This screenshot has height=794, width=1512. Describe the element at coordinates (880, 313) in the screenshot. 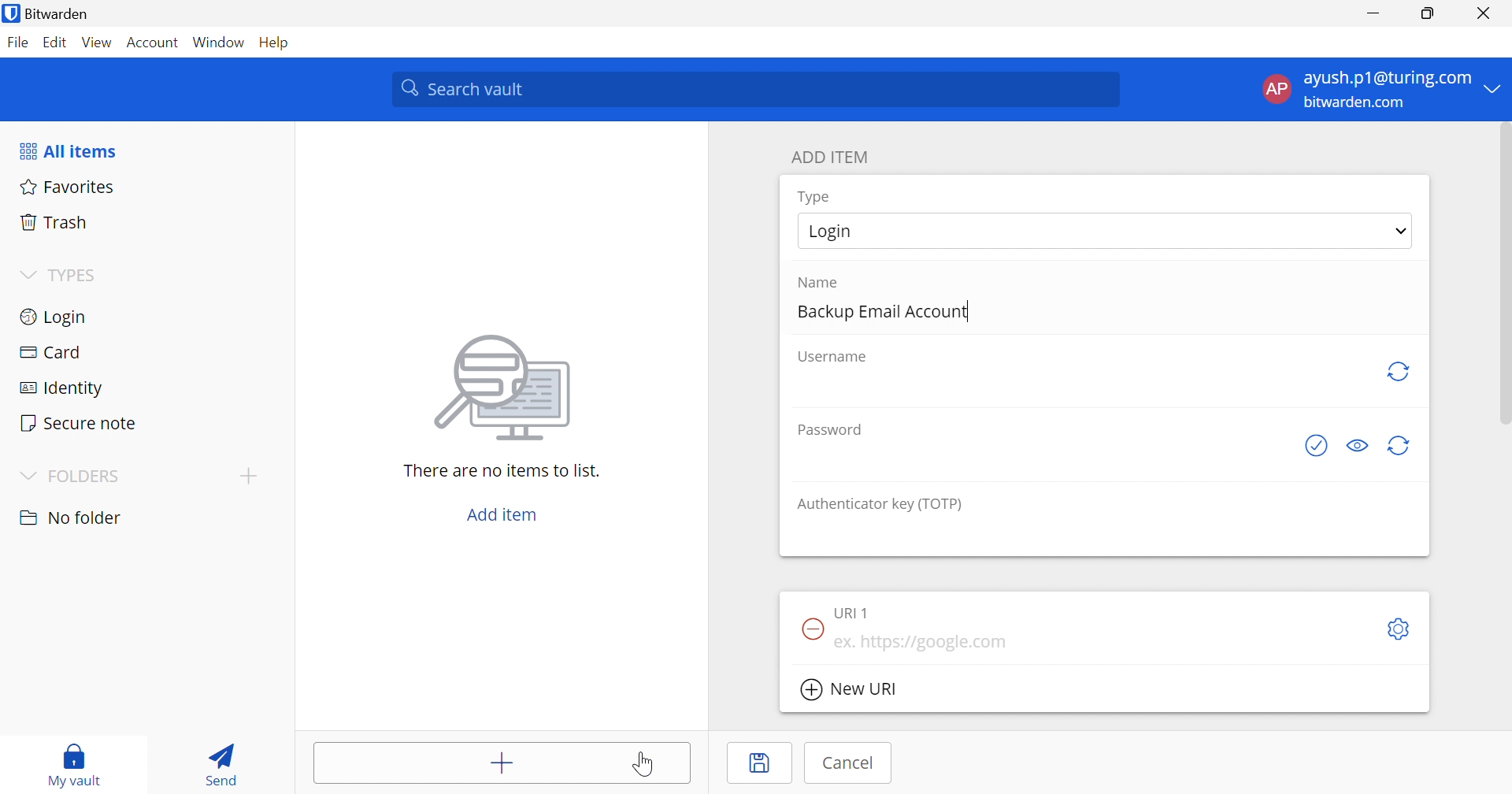

I see `Backup Email Account` at that location.